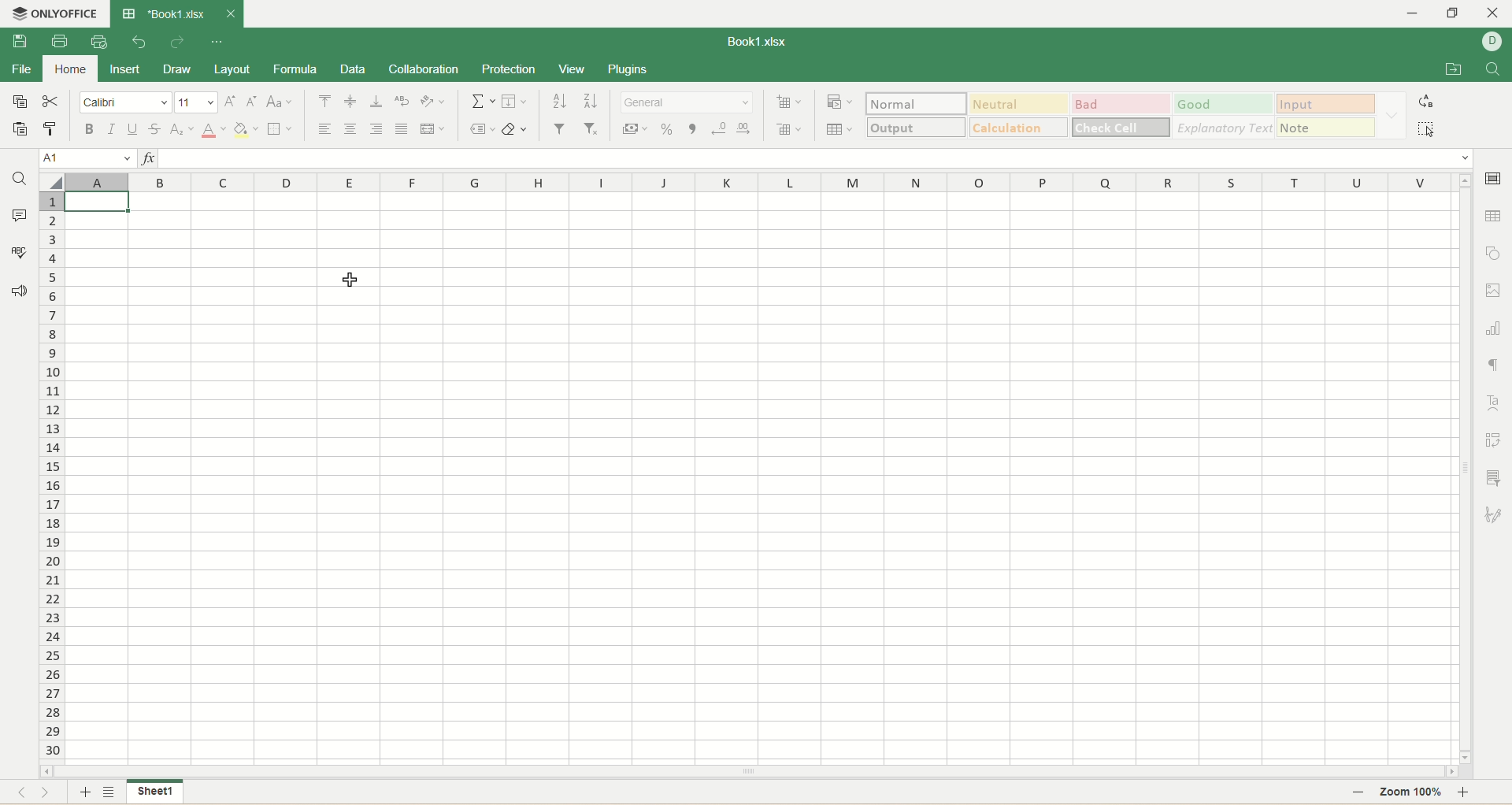 The image size is (1512, 805). What do you see at coordinates (182, 45) in the screenshot?
I see `redo` at bounding box center [182, 45].